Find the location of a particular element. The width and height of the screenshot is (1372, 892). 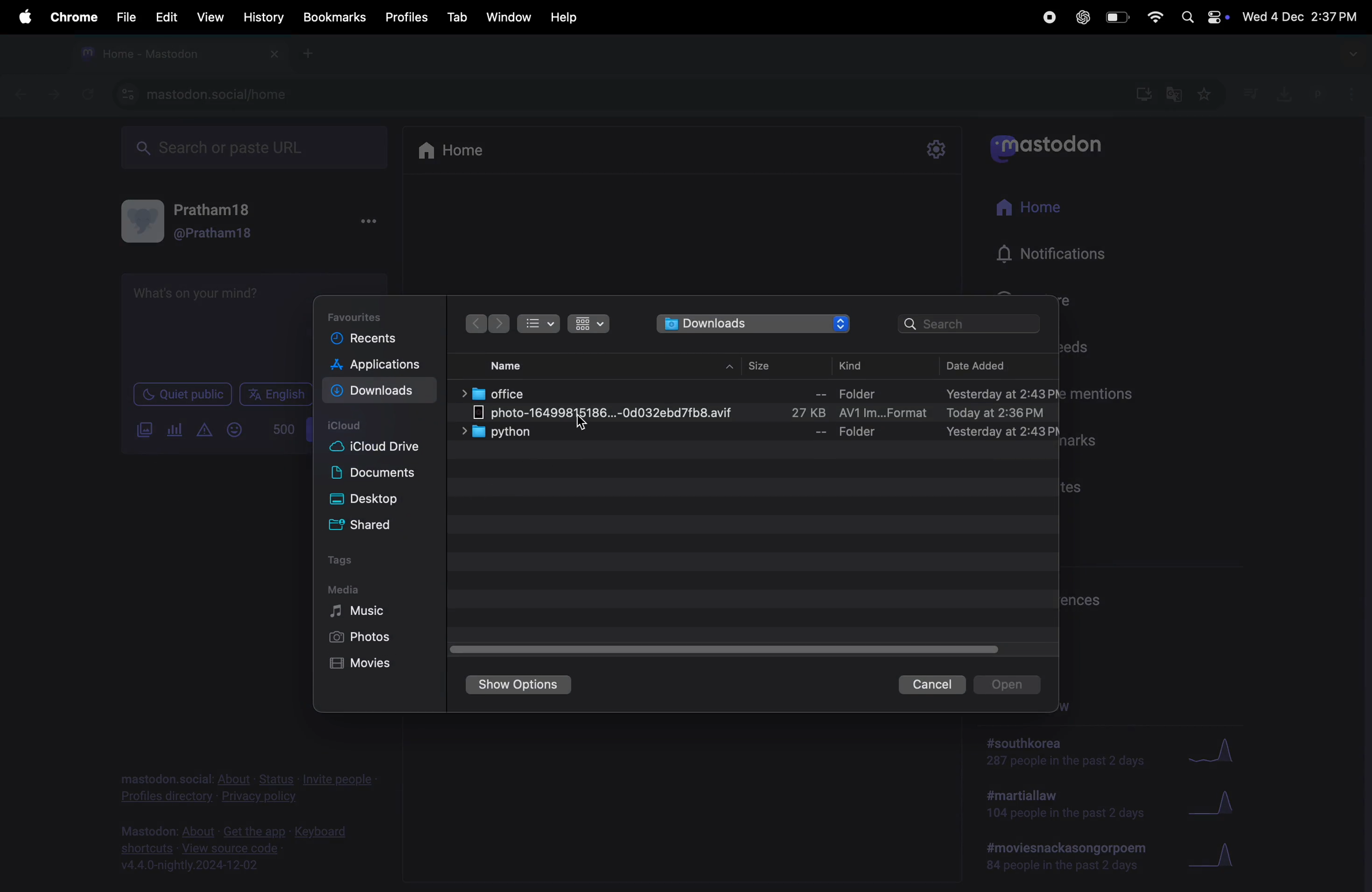

application is located at coordinates (385, 366).